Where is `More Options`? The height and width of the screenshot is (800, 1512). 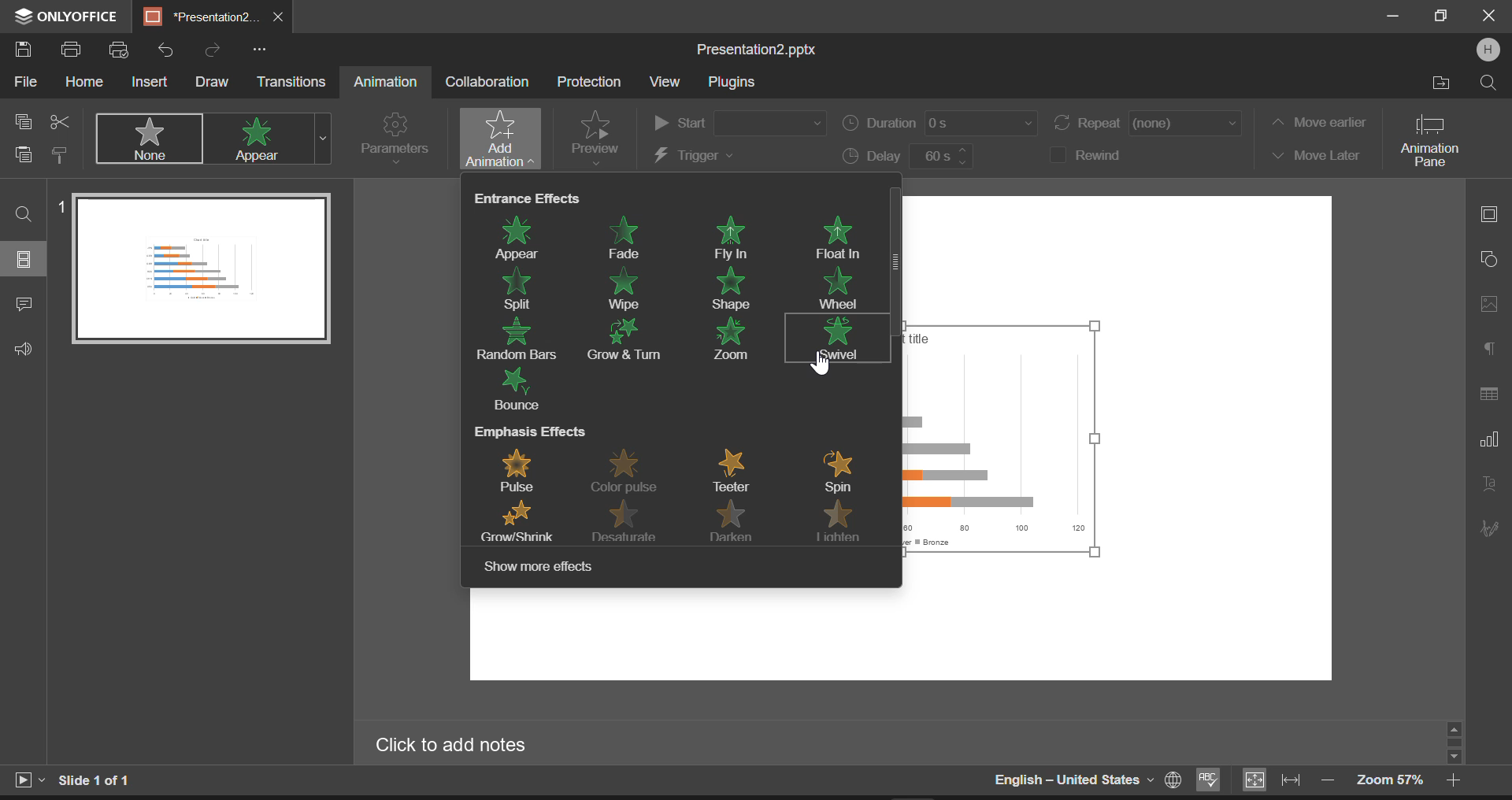
More Options is located at coordinates (259, 49).